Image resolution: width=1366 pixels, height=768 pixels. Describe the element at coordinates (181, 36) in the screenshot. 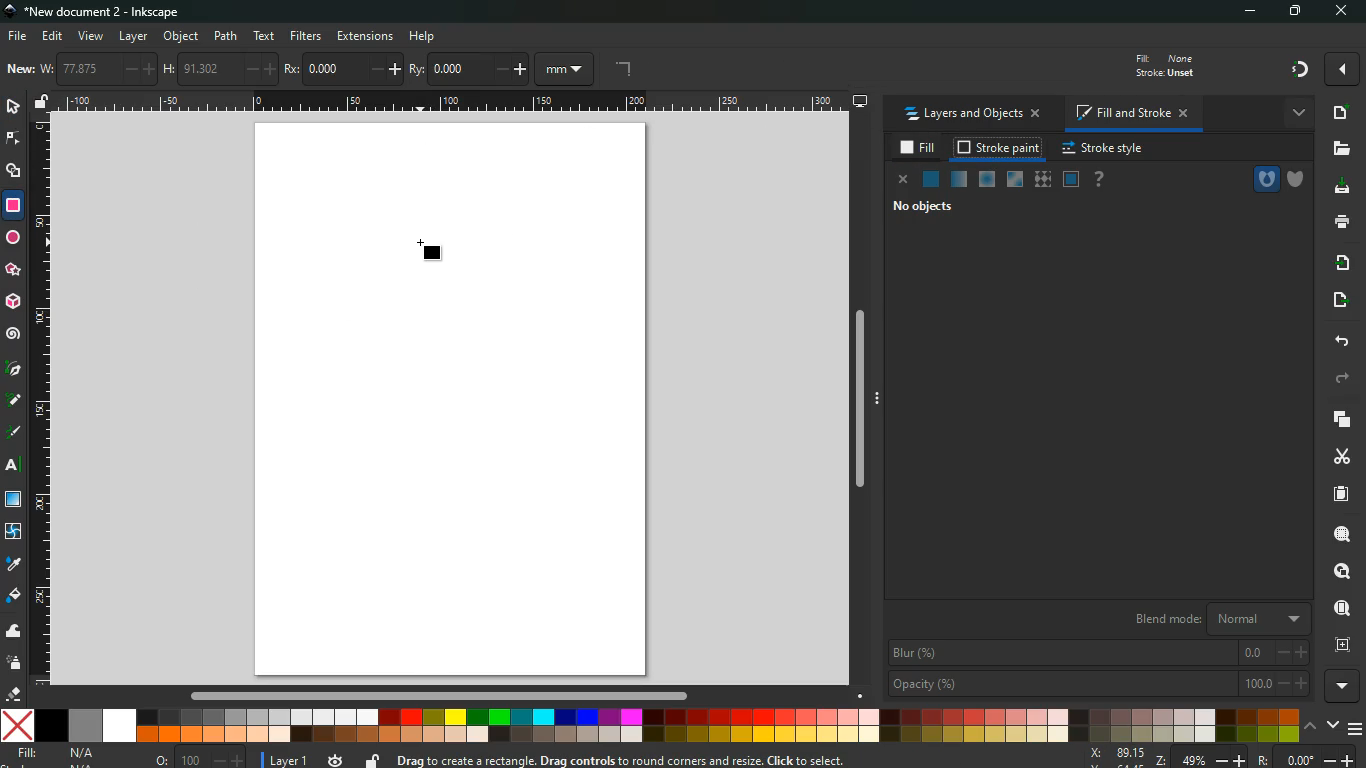

I see `object` at that location.